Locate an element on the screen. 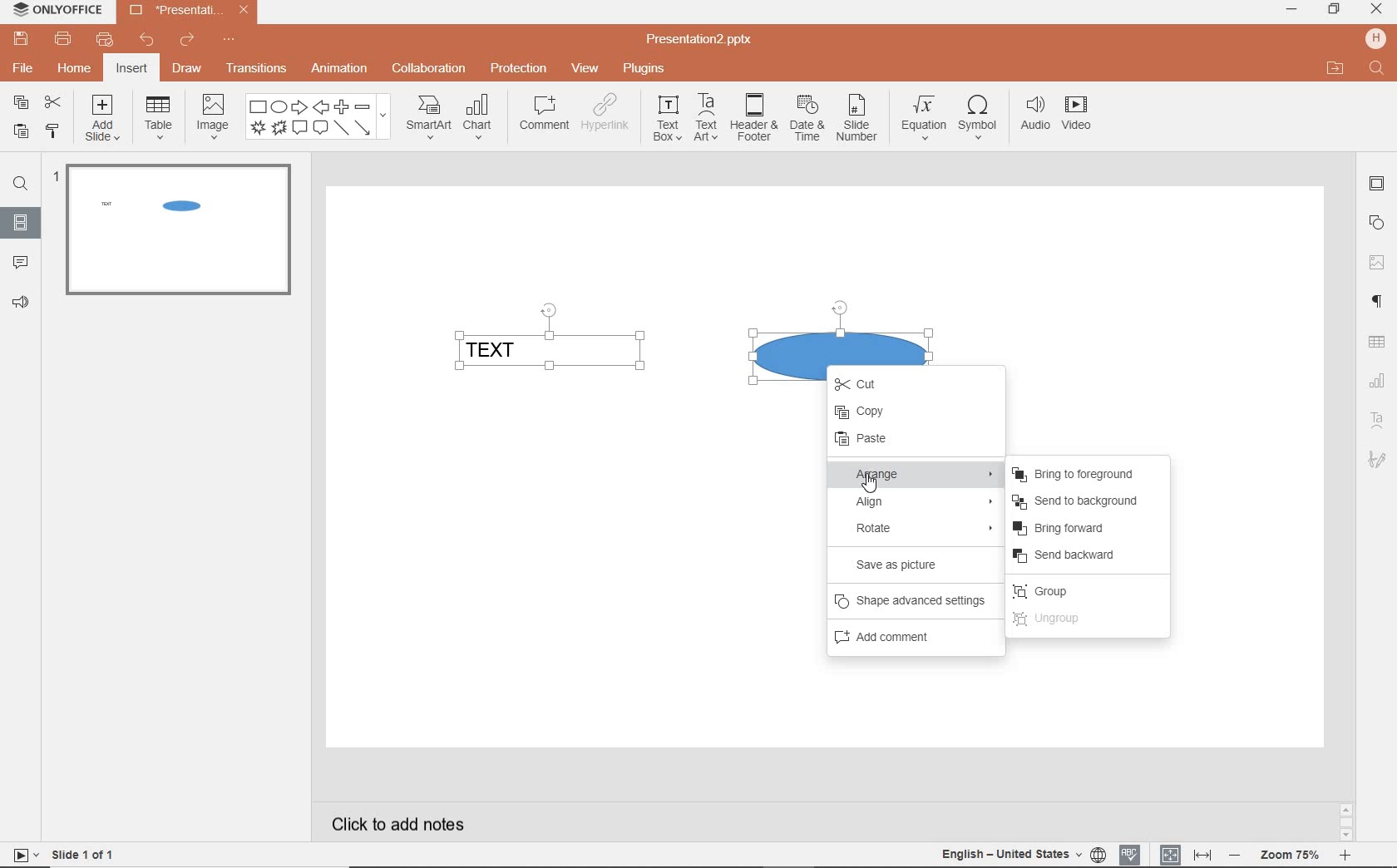 This screenshot has height=868, width=1397. TEXT FIELD SELECTED is located at coordinates (550, 340).